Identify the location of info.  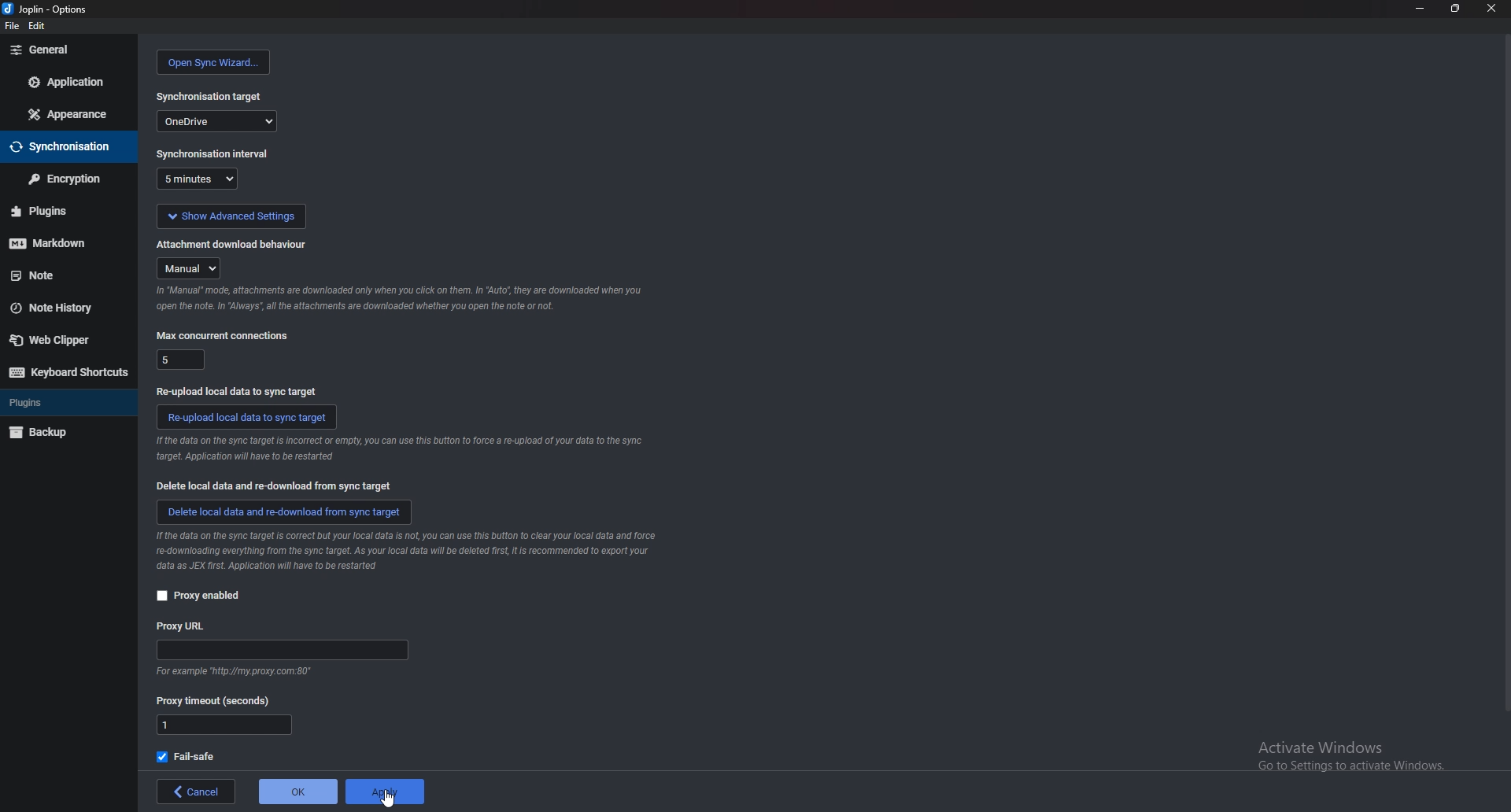
(407, 553).